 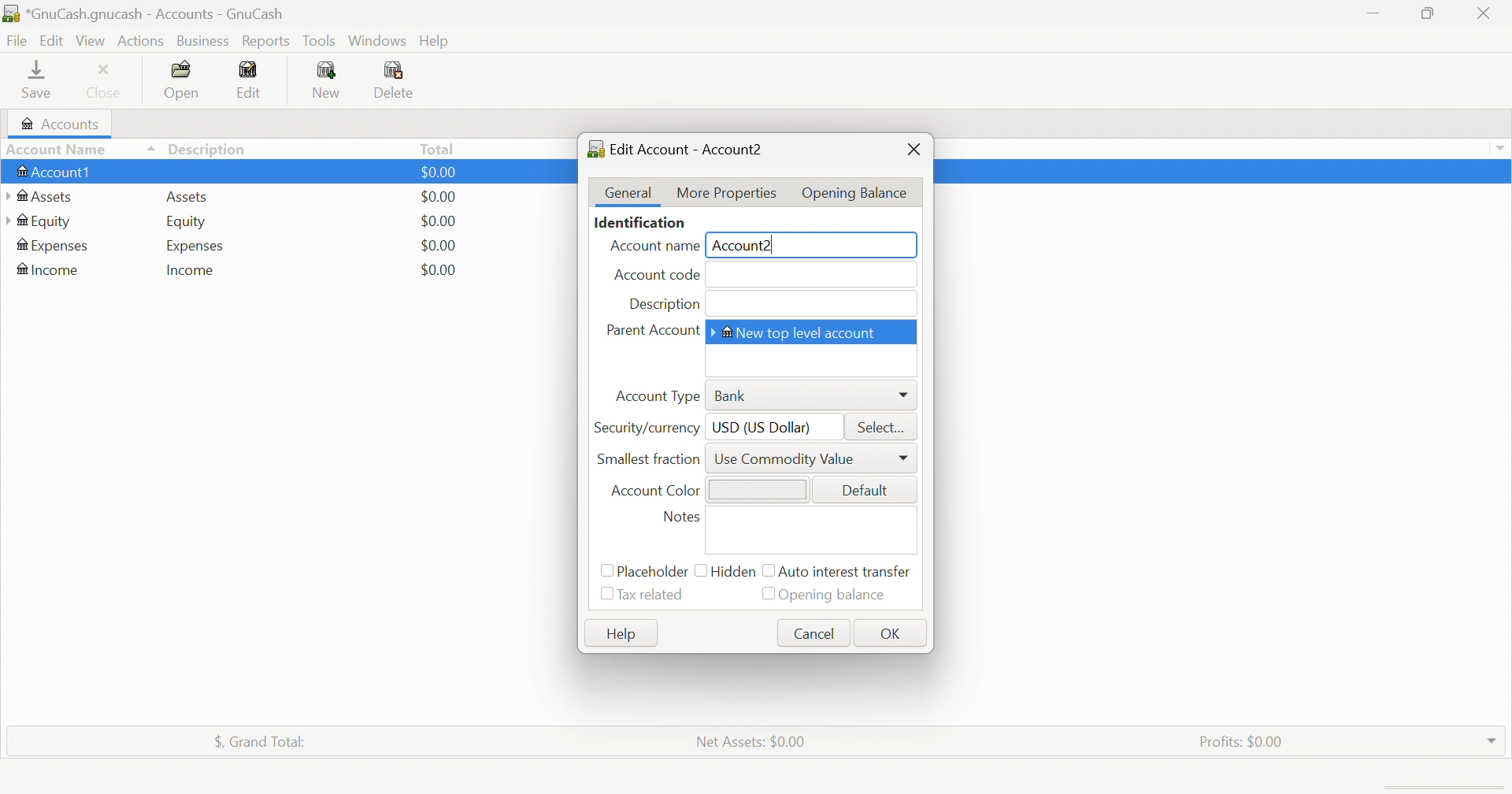 I want to click on Save, so click(x=42, y=80).